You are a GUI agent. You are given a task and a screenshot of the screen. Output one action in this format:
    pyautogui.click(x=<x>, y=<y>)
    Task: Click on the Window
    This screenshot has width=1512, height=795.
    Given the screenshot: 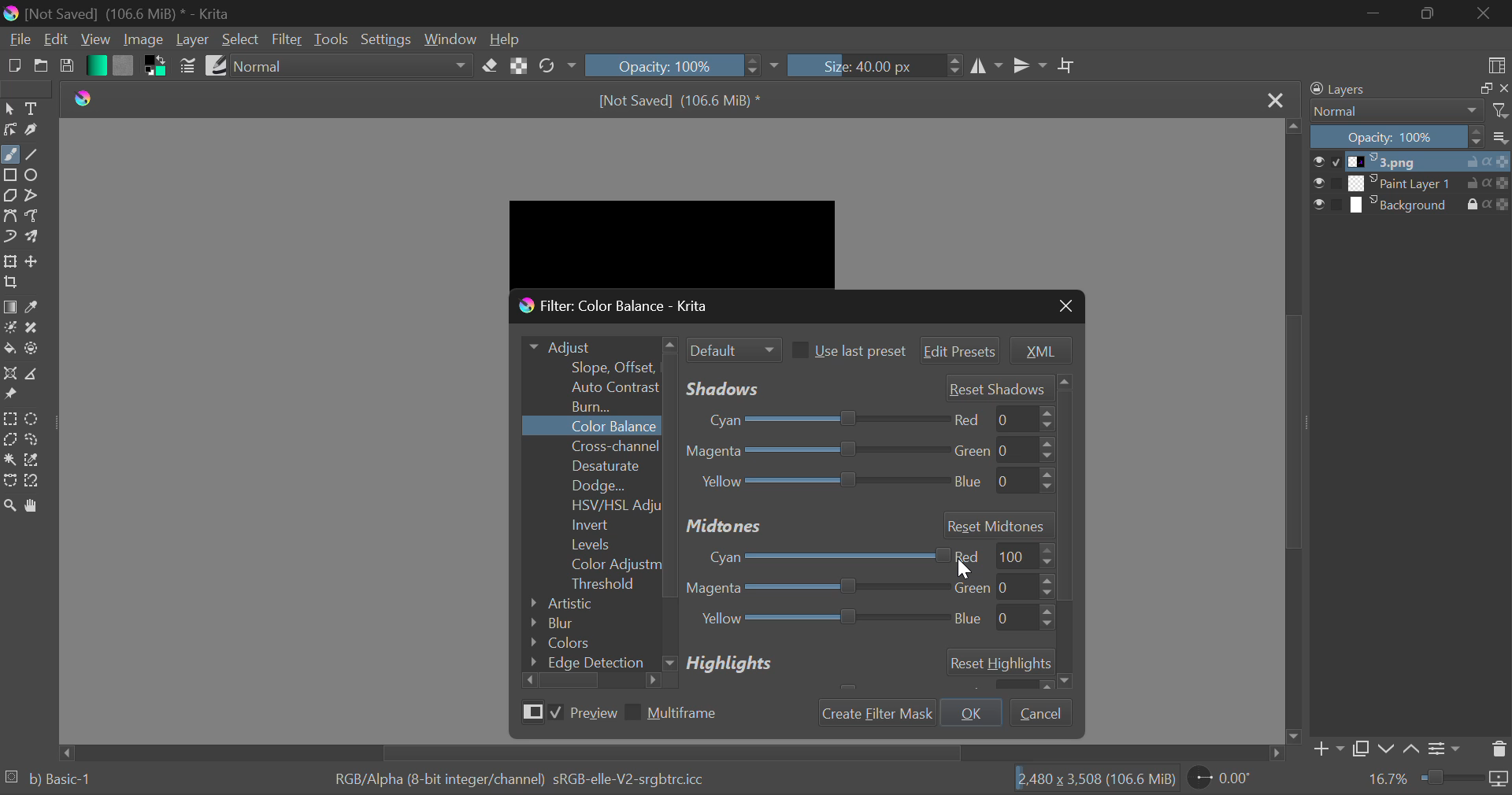 What is the action you would take?
    pyautogui.click(x=450, y=39)
    